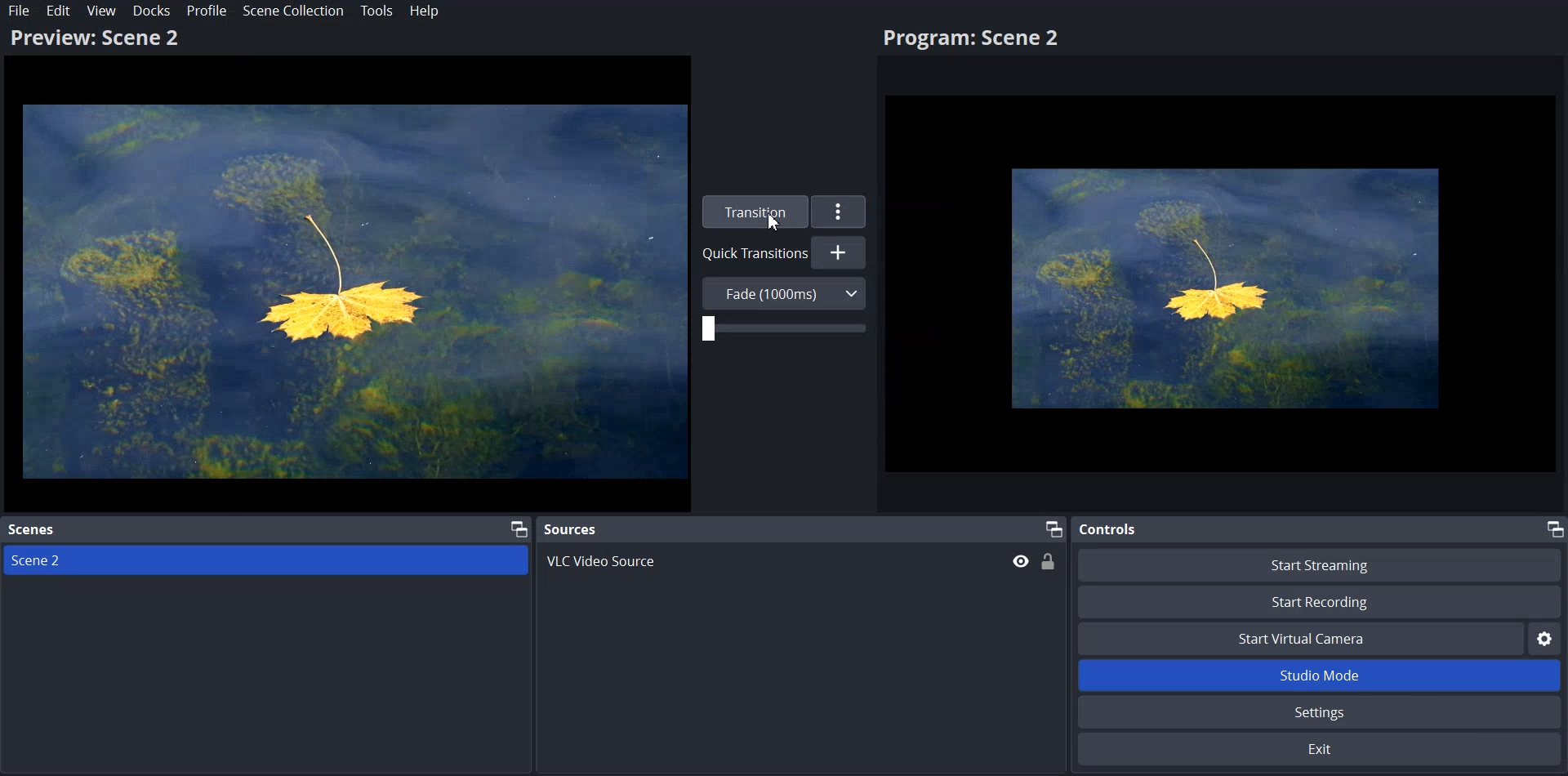 The width and height of the screenshot is (1568, 776). What do you see at coordinates (151, 11) in the screenshot?
I see `Docks` at bounding box center [151, 11].